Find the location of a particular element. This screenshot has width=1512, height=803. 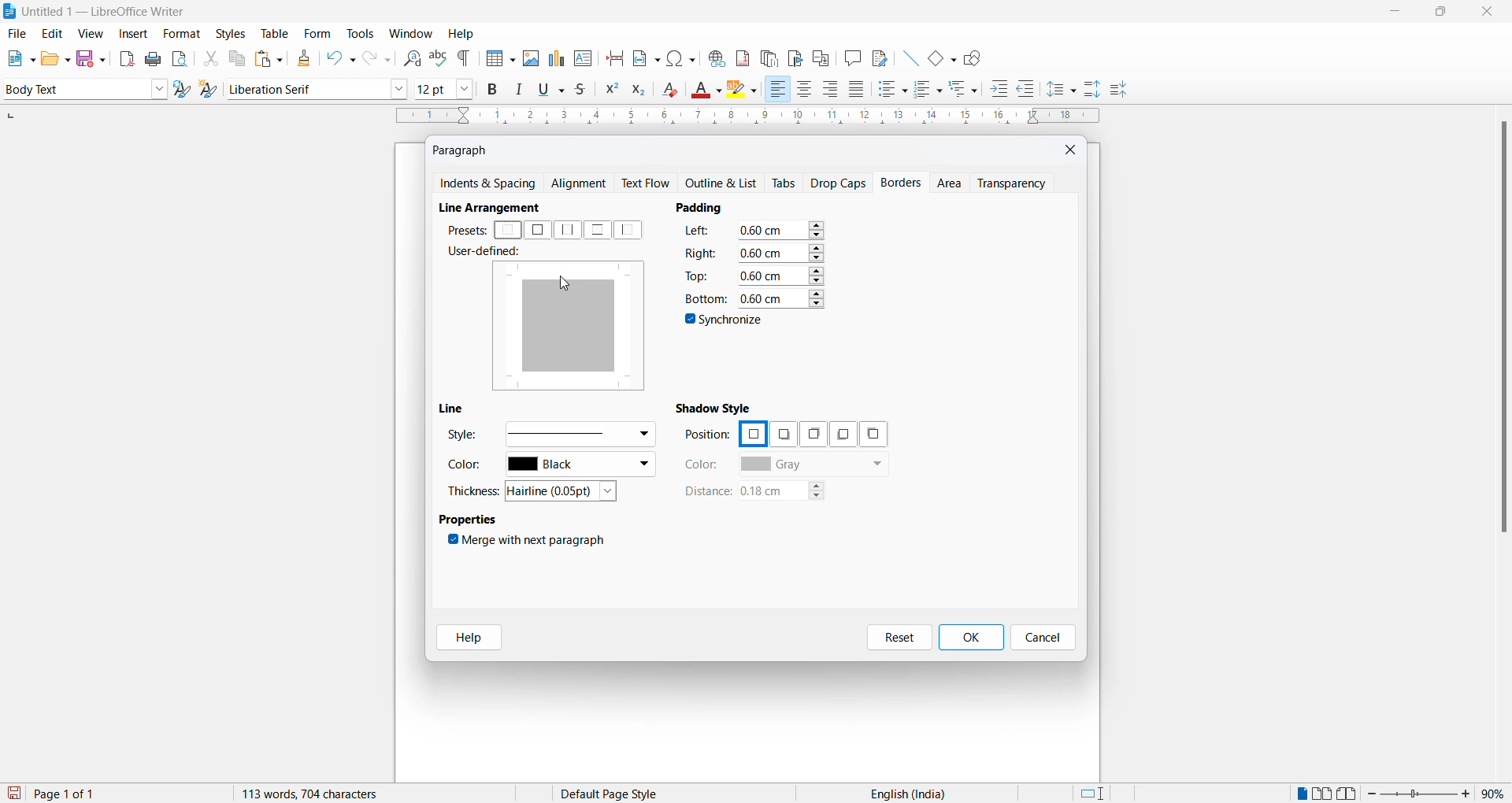

undo is located at coordinates (338, 58).